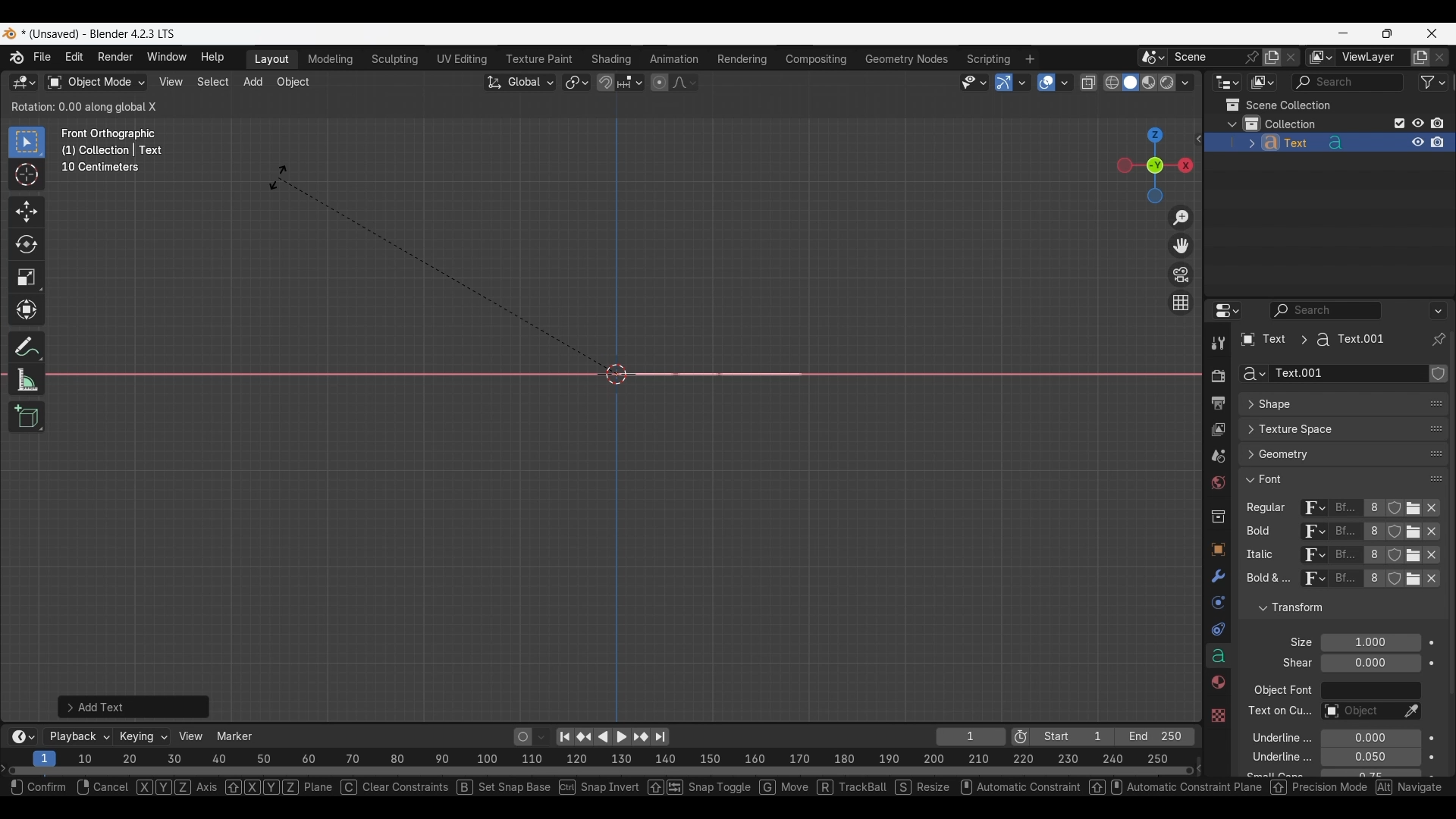  What do you see at coordinates (1314, 544) in the screenshot?
I see `Browse ID data to be linked for respective attribute` at bounding box center [1314, 544].